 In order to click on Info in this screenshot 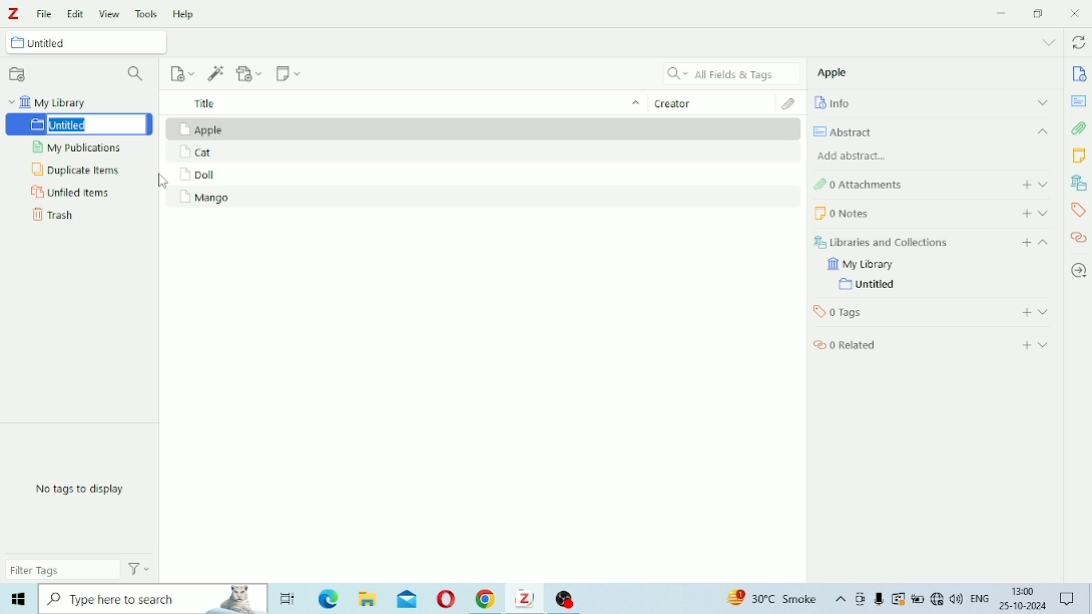, I will do `click(931, 103)`.